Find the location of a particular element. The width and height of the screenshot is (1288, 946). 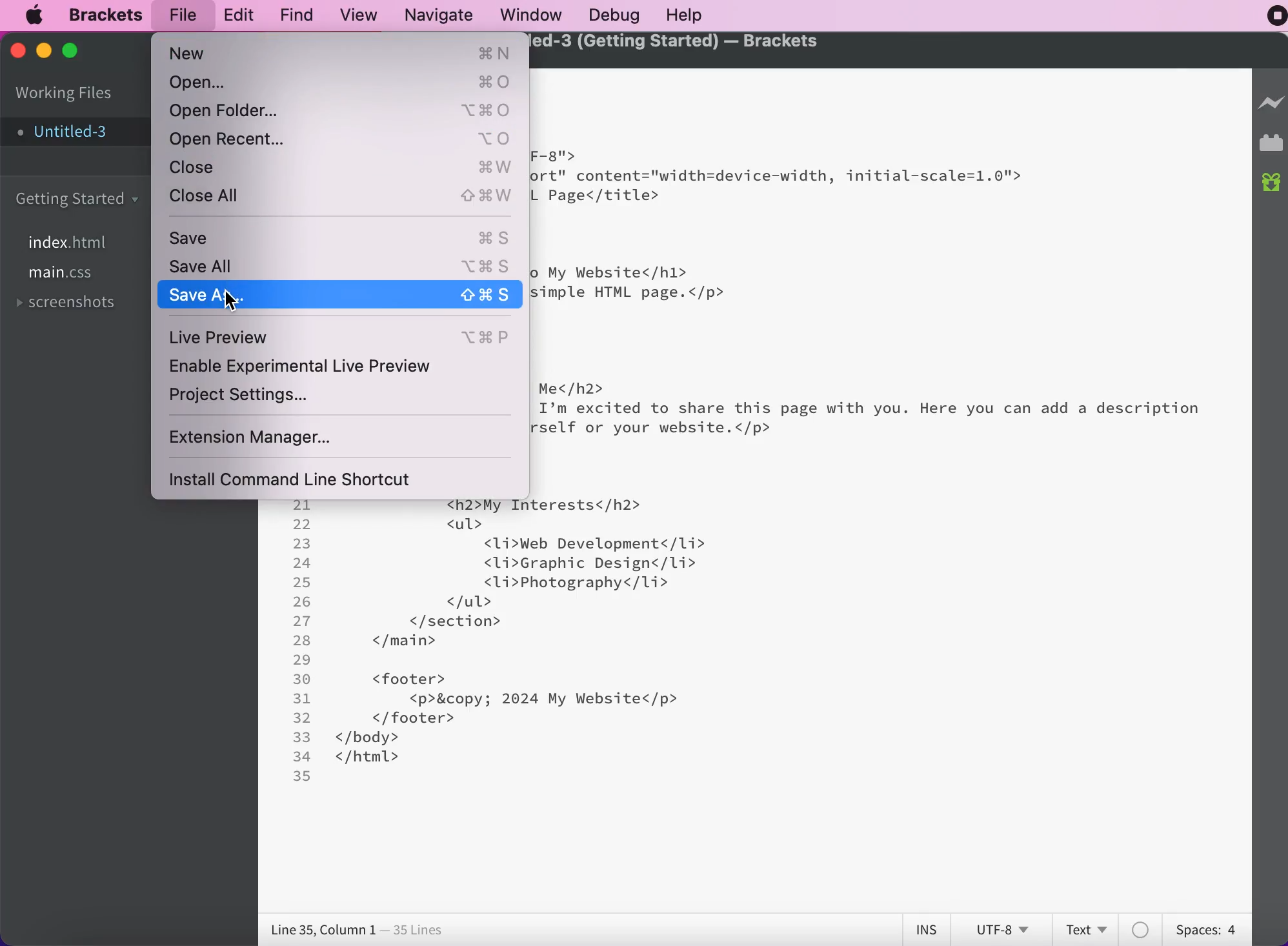

close is located at coordinates (19, 52).